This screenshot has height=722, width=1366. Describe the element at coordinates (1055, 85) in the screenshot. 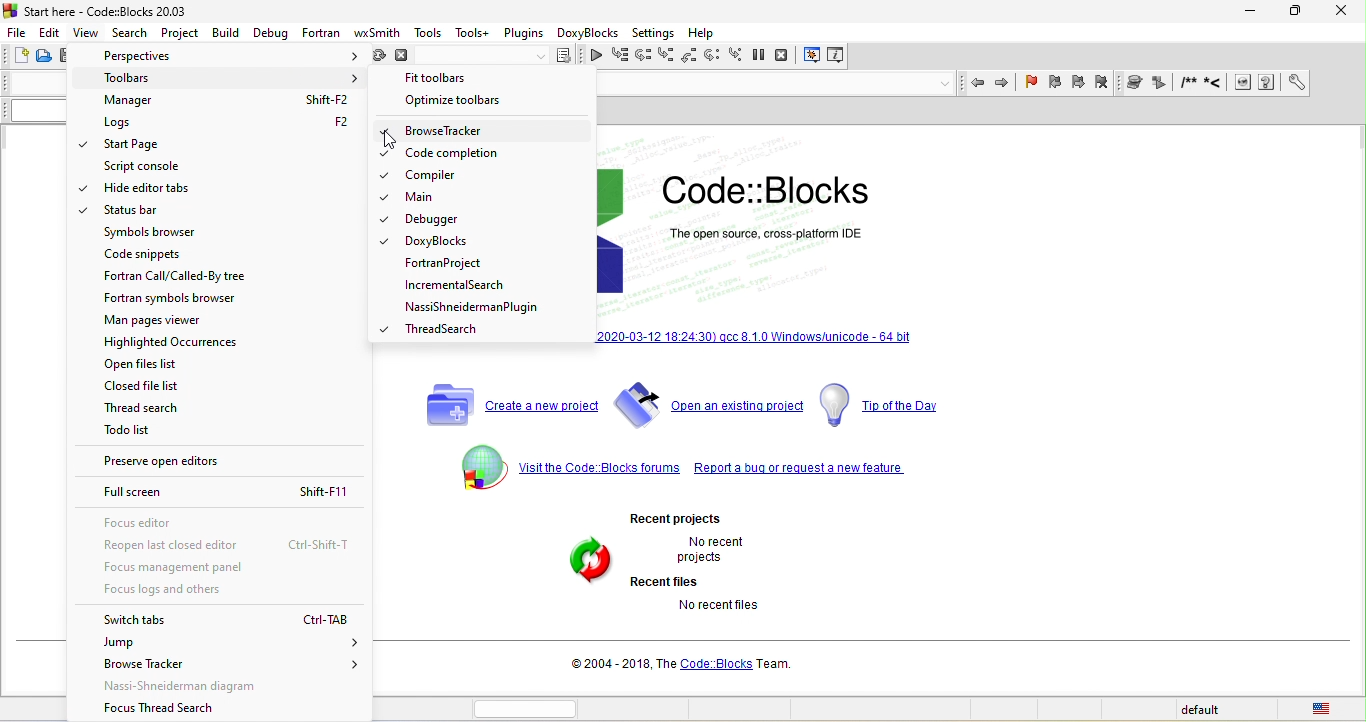

I see `prev bookmark` at that location.